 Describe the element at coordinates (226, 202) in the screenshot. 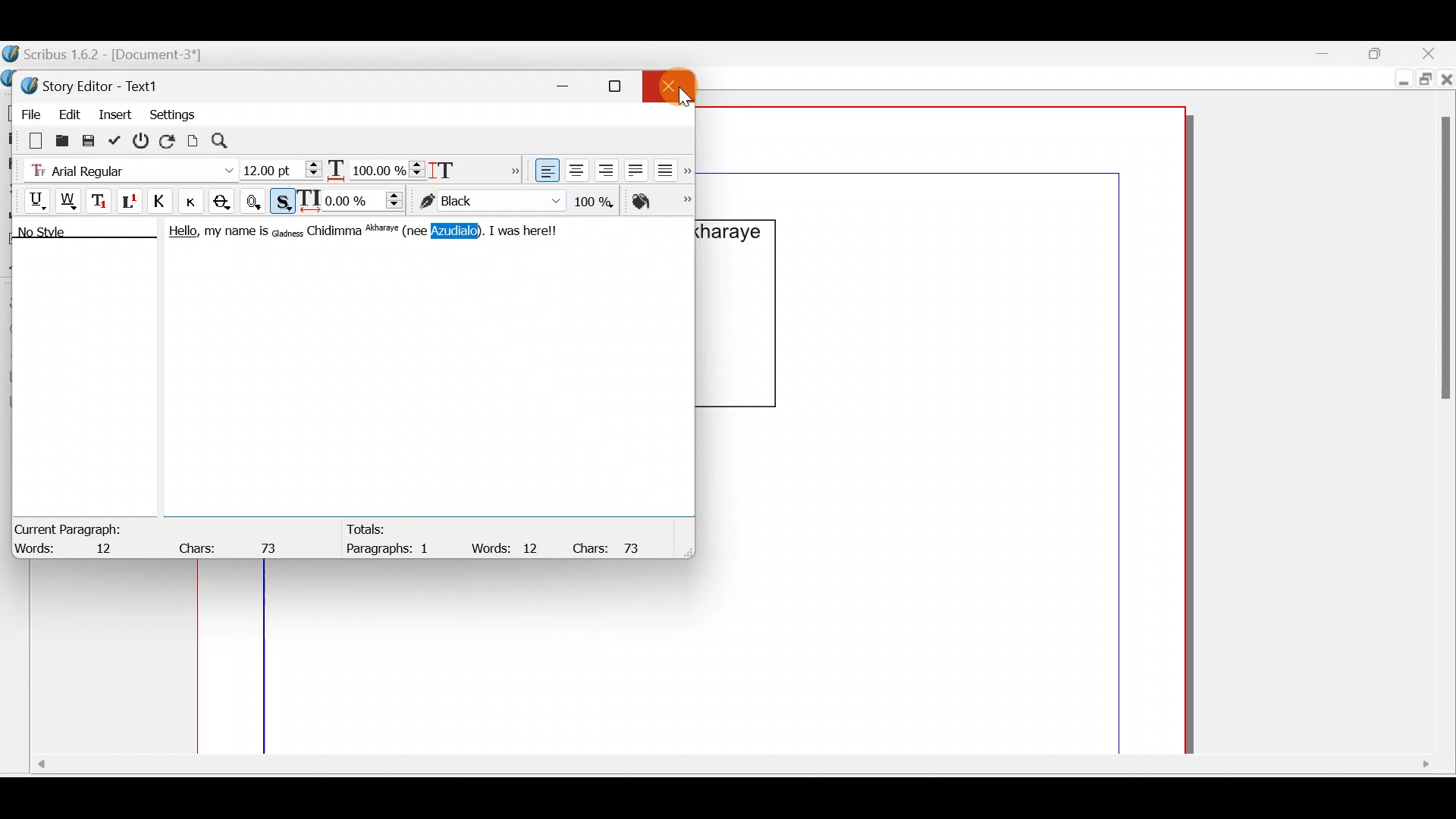

I see `Strike out` at that location.